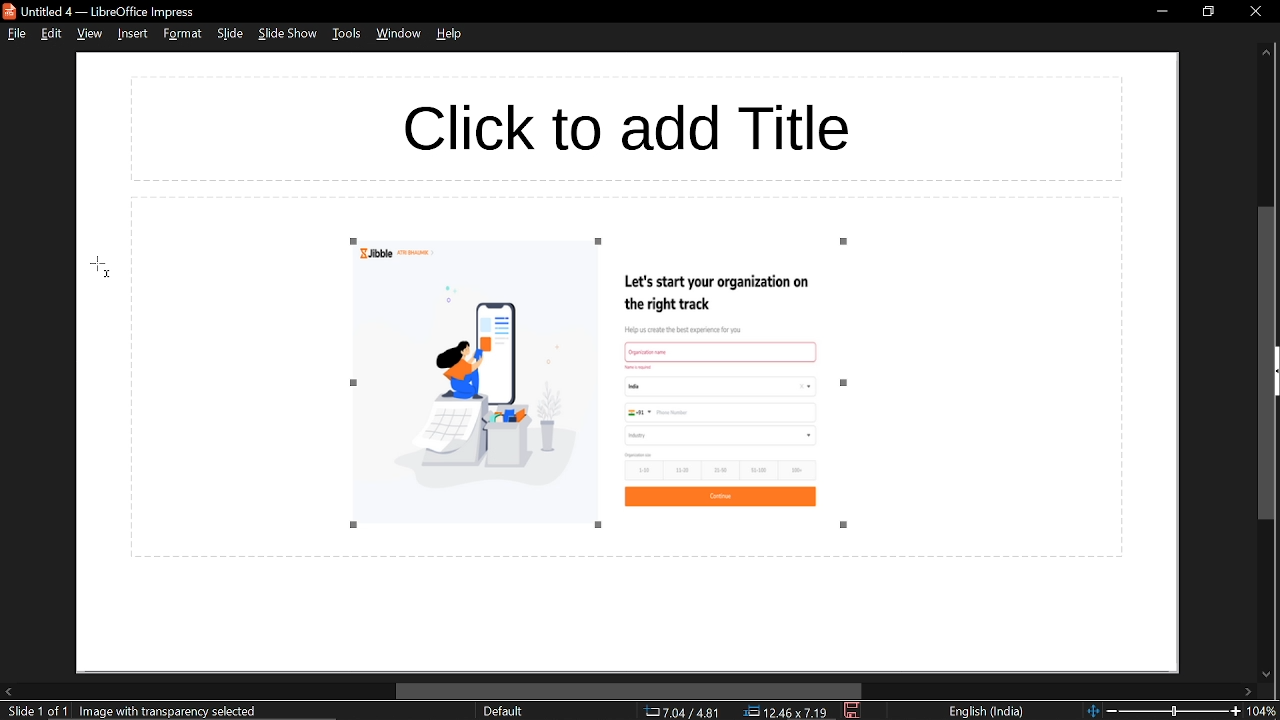 This screenshot has height=720, width=1280. I want to click on restore down, so click(1210, 12).